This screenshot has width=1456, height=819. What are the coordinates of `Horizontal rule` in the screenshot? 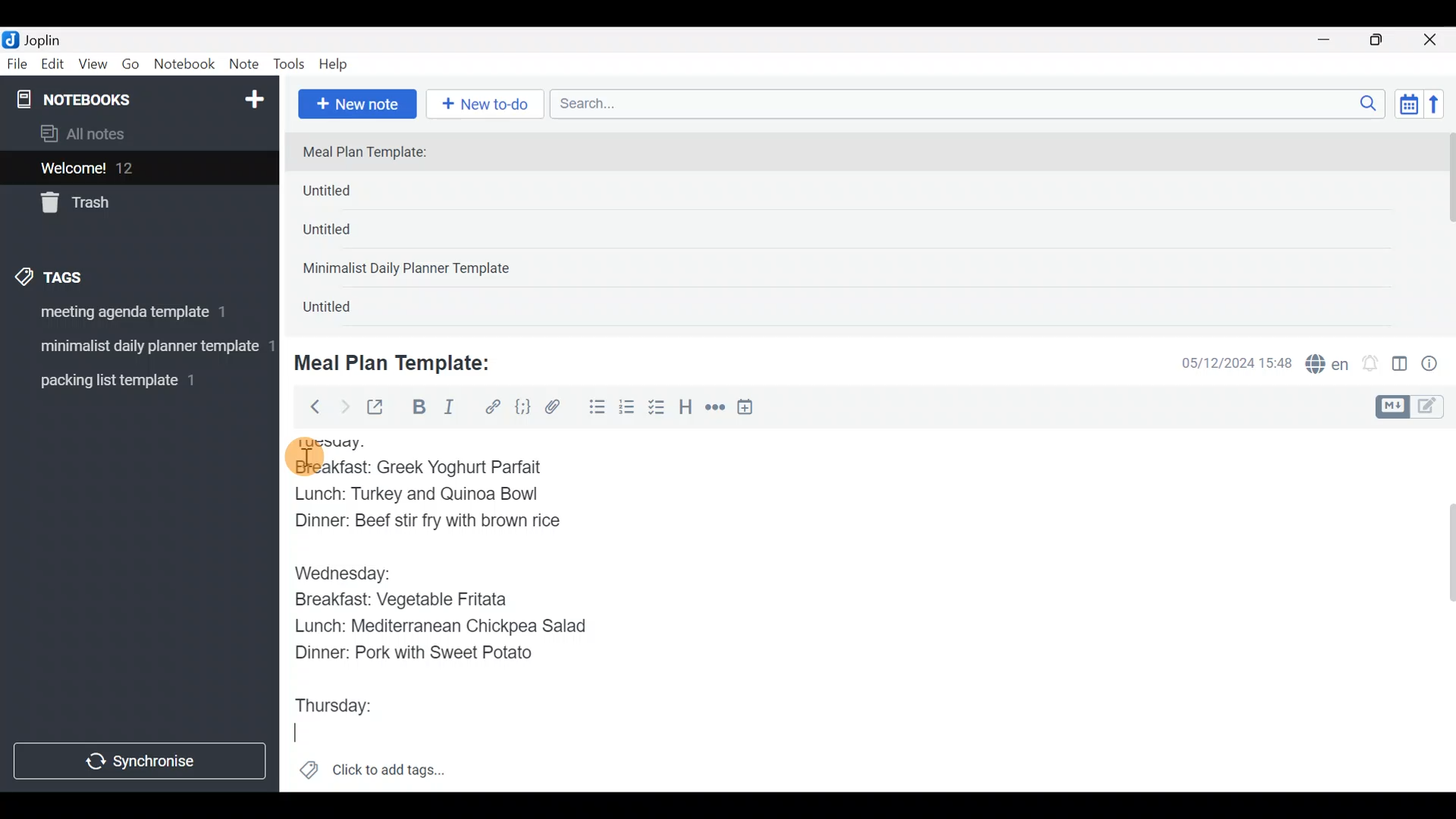 It's located at (715, 409).